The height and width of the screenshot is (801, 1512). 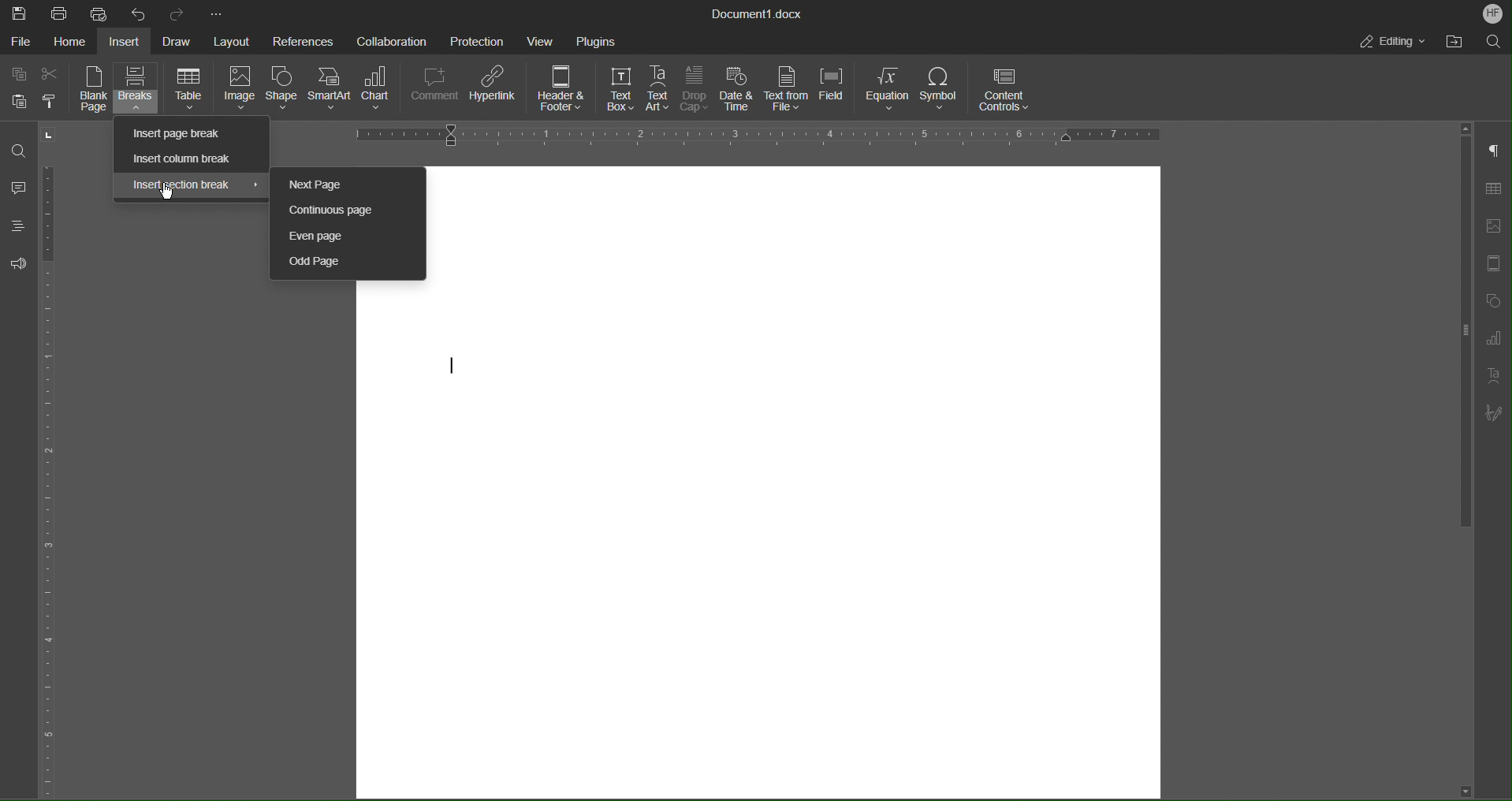 What do you see at coordinates (60, 12) in the screenshot?
I see `Print ` at bounding box center [60, 12].